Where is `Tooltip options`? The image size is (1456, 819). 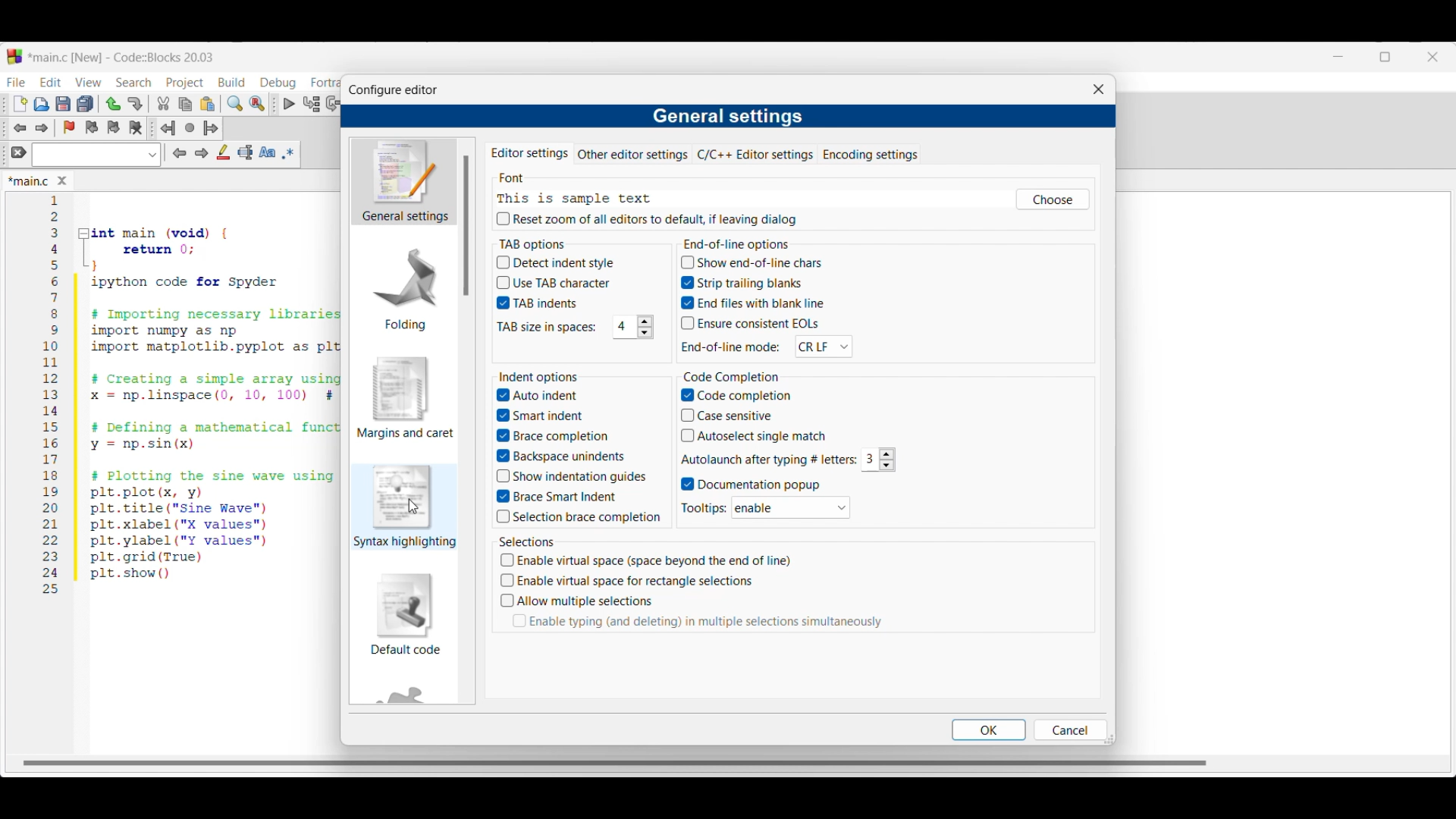
Tooltip options is located at coordinates (792, 507).